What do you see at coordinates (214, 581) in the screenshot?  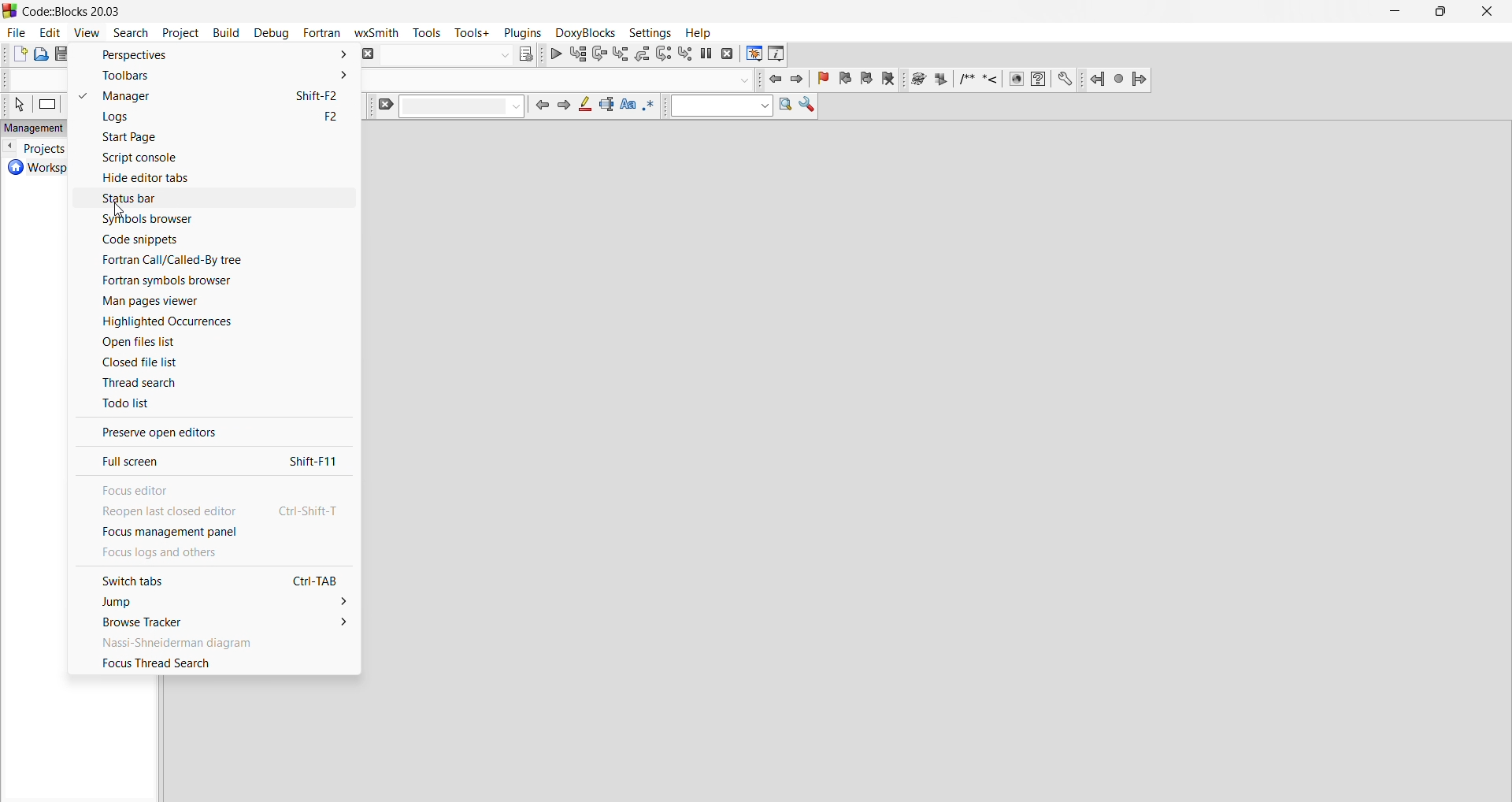 I see `switch tabs` at bounding box center [214, 581].